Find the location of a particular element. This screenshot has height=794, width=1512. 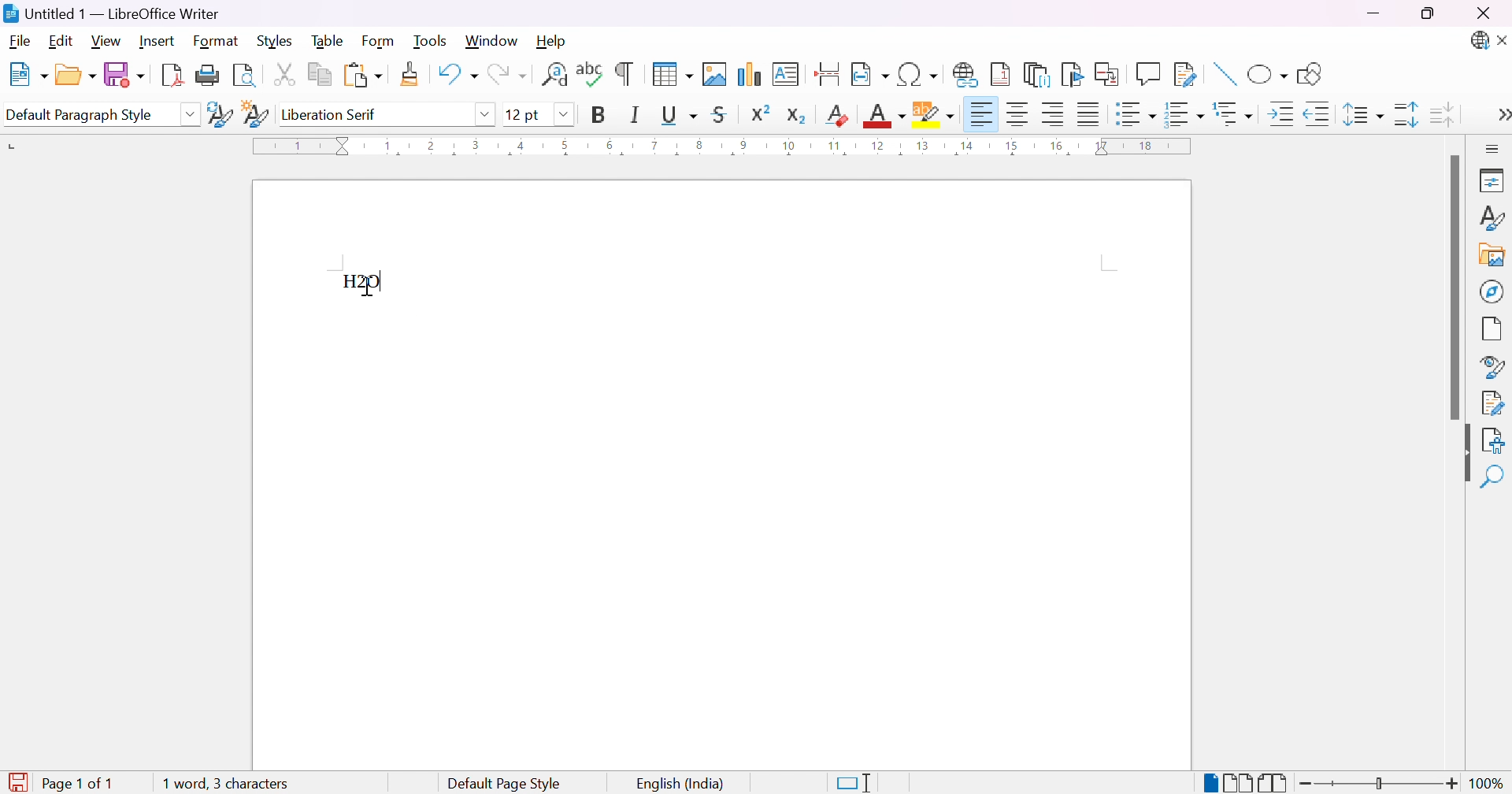

Edit is located at coordinates (64, 42).